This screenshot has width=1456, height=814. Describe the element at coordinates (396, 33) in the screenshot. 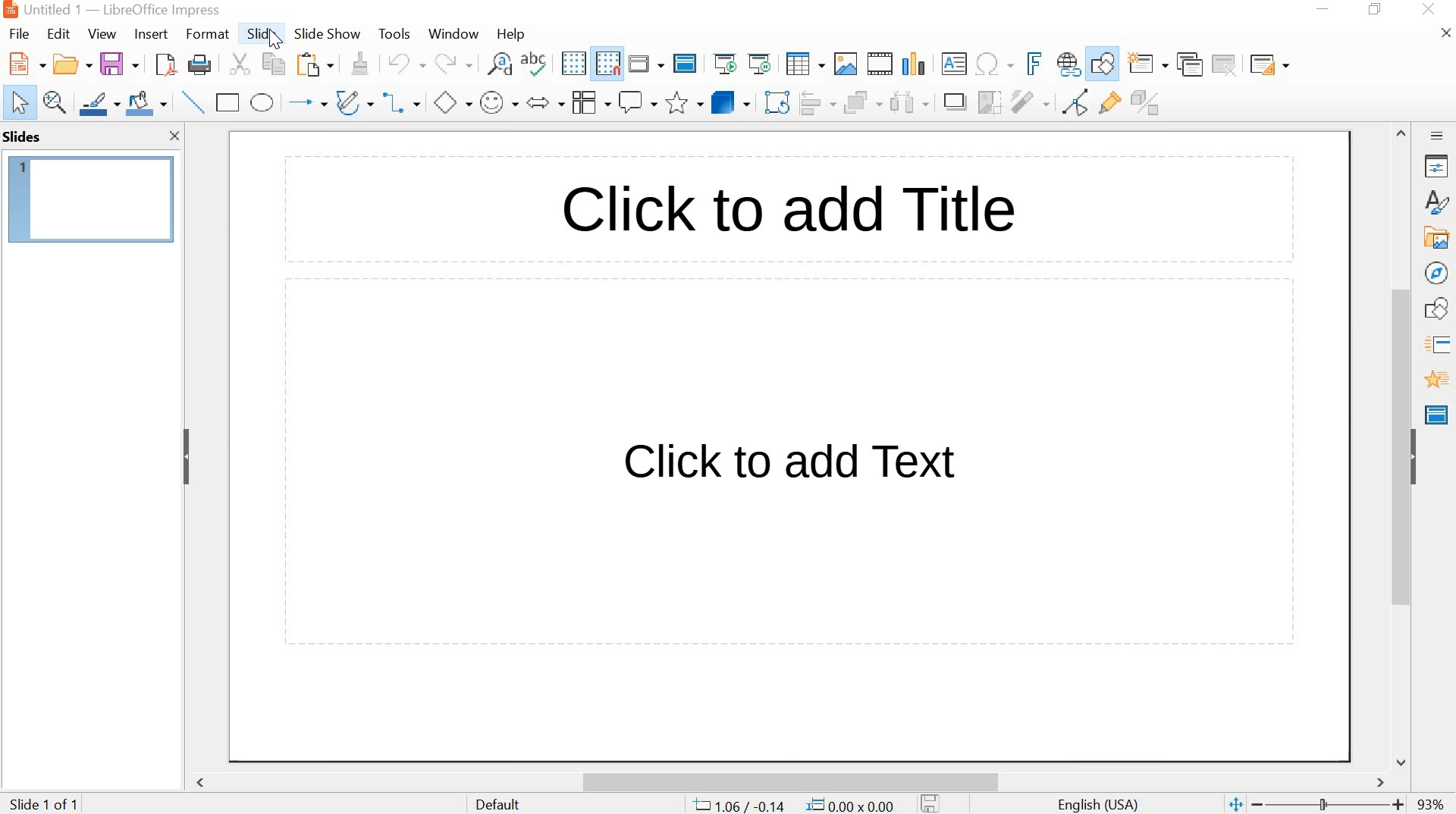

I see `TOOLS` at that location.